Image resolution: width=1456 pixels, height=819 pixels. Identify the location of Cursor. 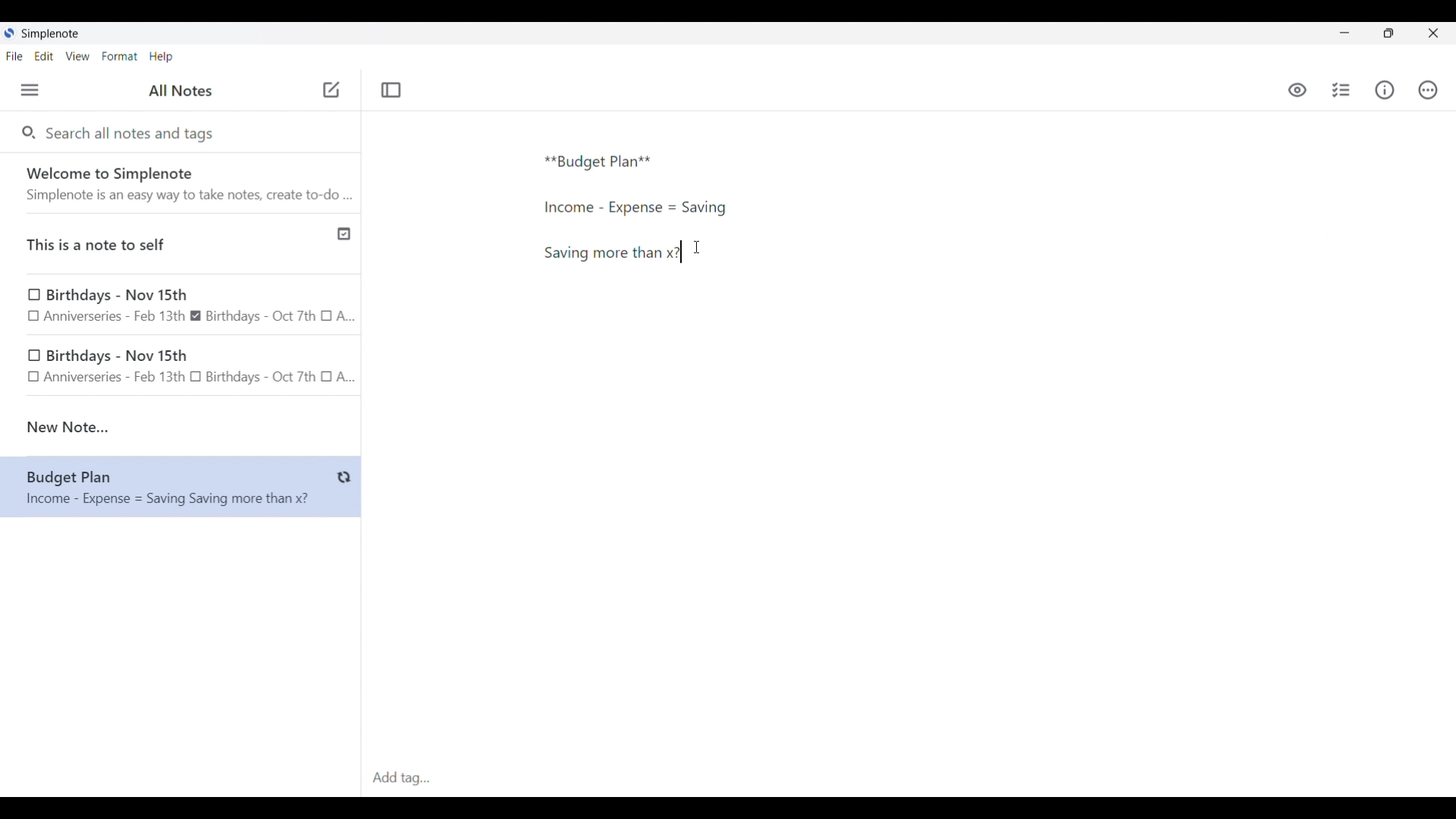
(697, 247).